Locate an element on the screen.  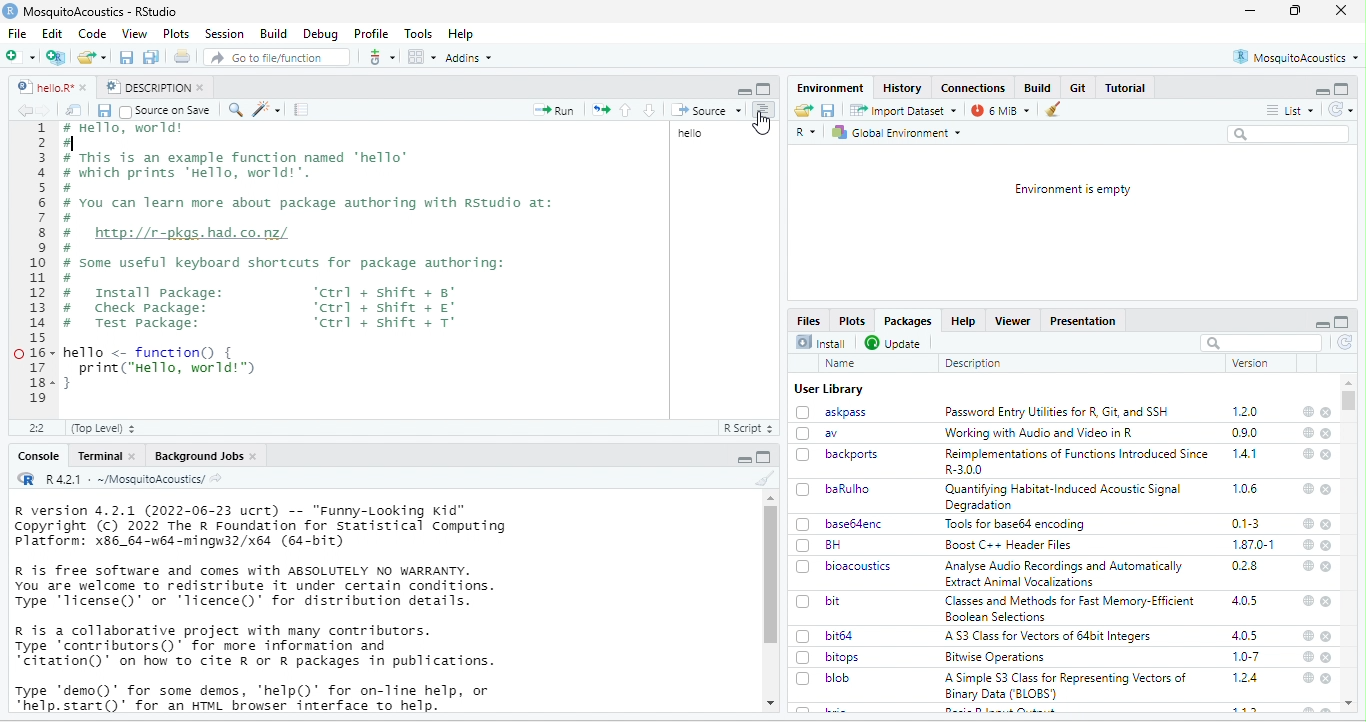
maximize is located at coordinates (1342, 89).